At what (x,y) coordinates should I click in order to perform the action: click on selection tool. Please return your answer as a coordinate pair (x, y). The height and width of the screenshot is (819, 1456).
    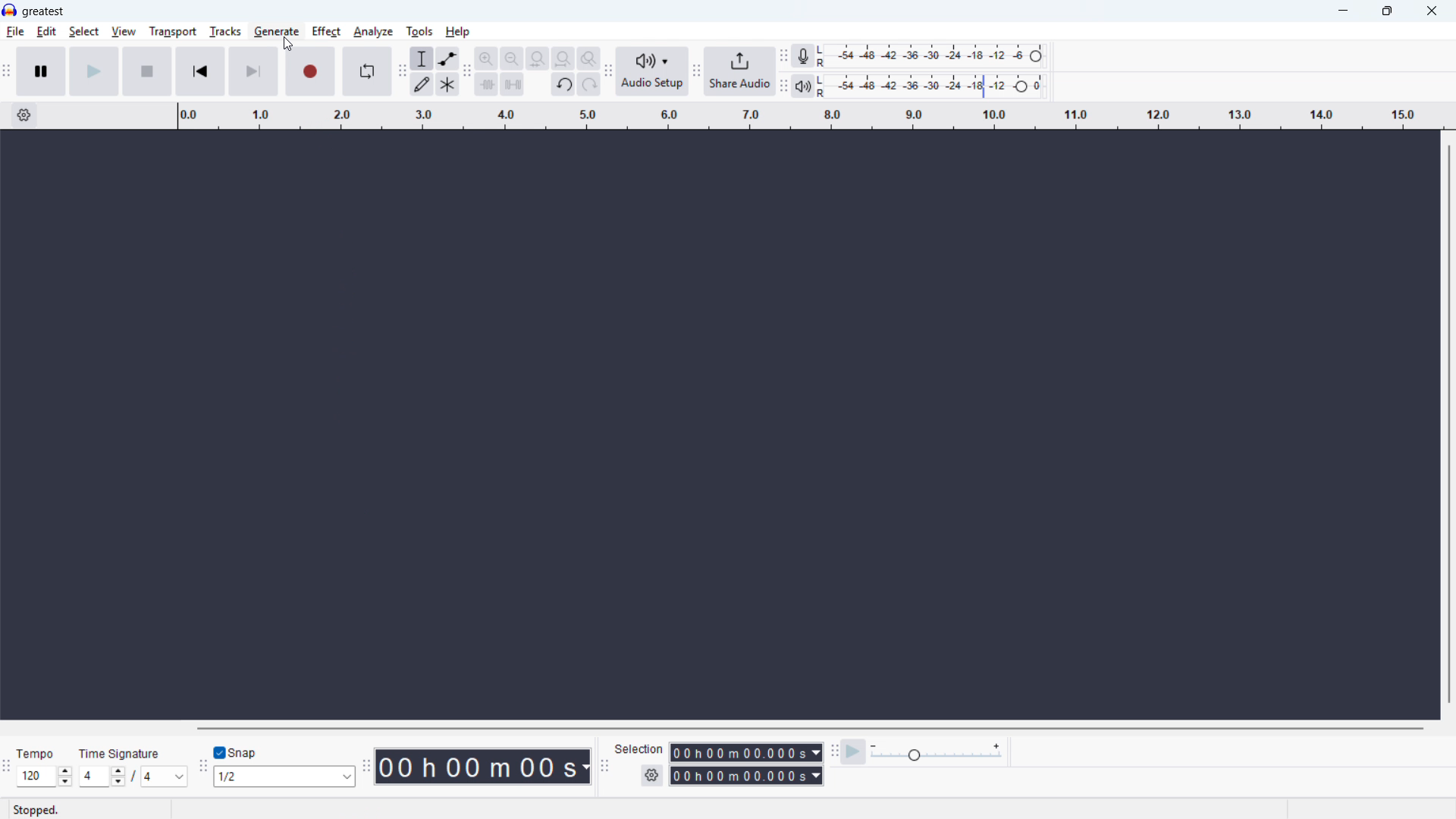
    Looking at the image, I should click on (422, 58).